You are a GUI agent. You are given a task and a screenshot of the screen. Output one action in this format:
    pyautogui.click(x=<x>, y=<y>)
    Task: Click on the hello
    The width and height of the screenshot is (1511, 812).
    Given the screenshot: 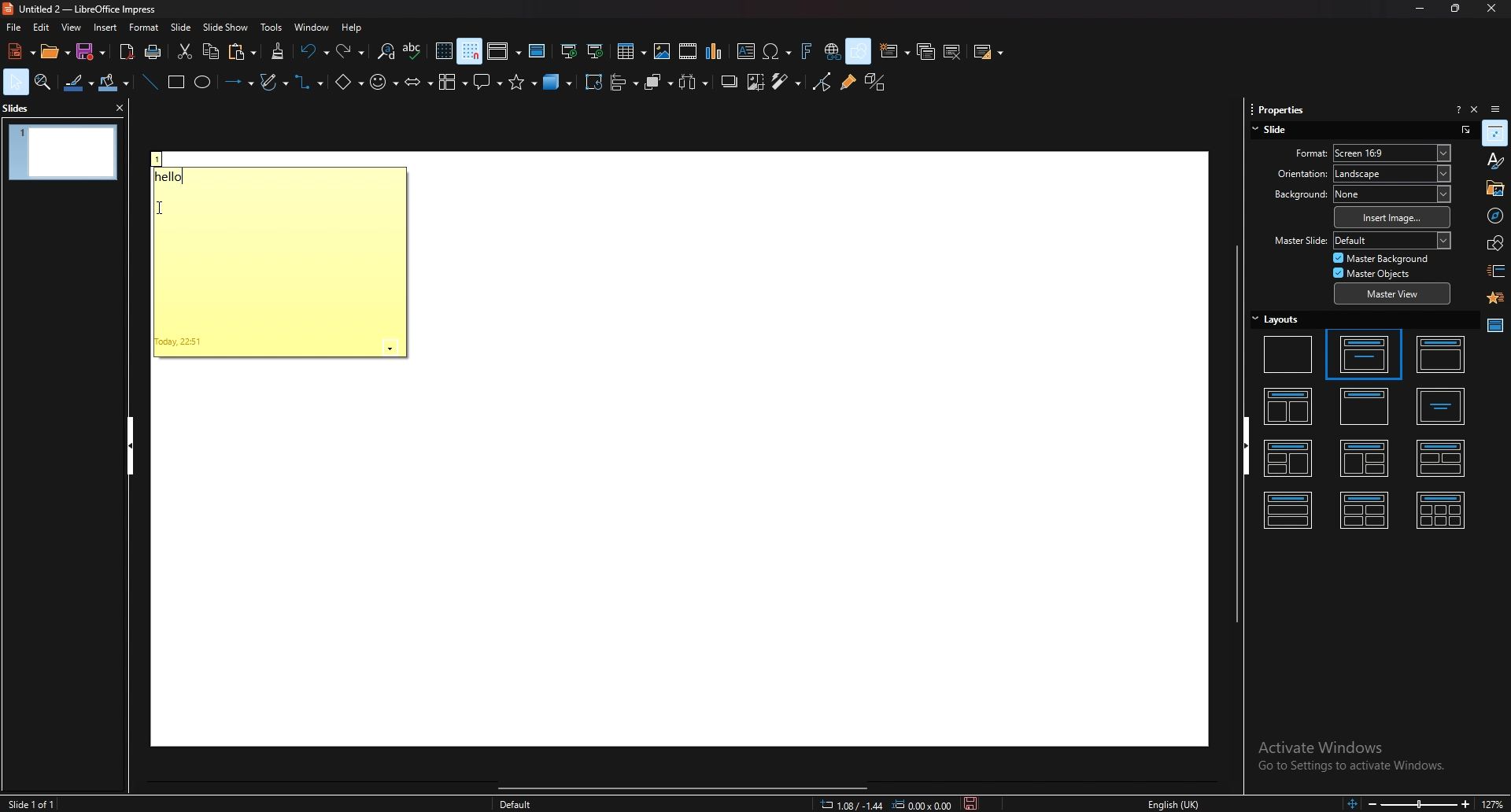 What is the action you would take?
    pyautogui.click(x=176, y=176)
    